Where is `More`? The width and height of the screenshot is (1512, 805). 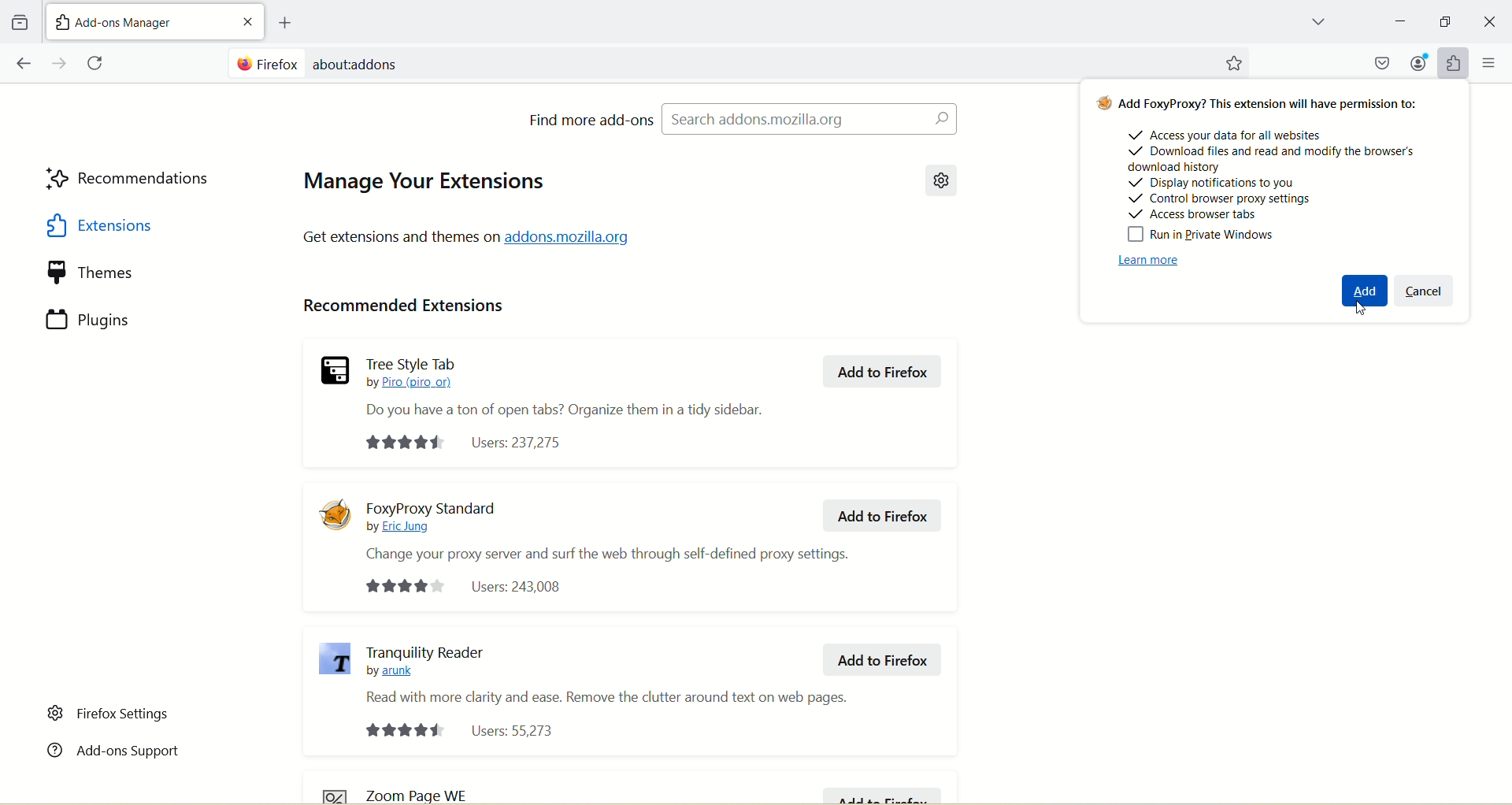
More is located at coordinates (1490, 62).